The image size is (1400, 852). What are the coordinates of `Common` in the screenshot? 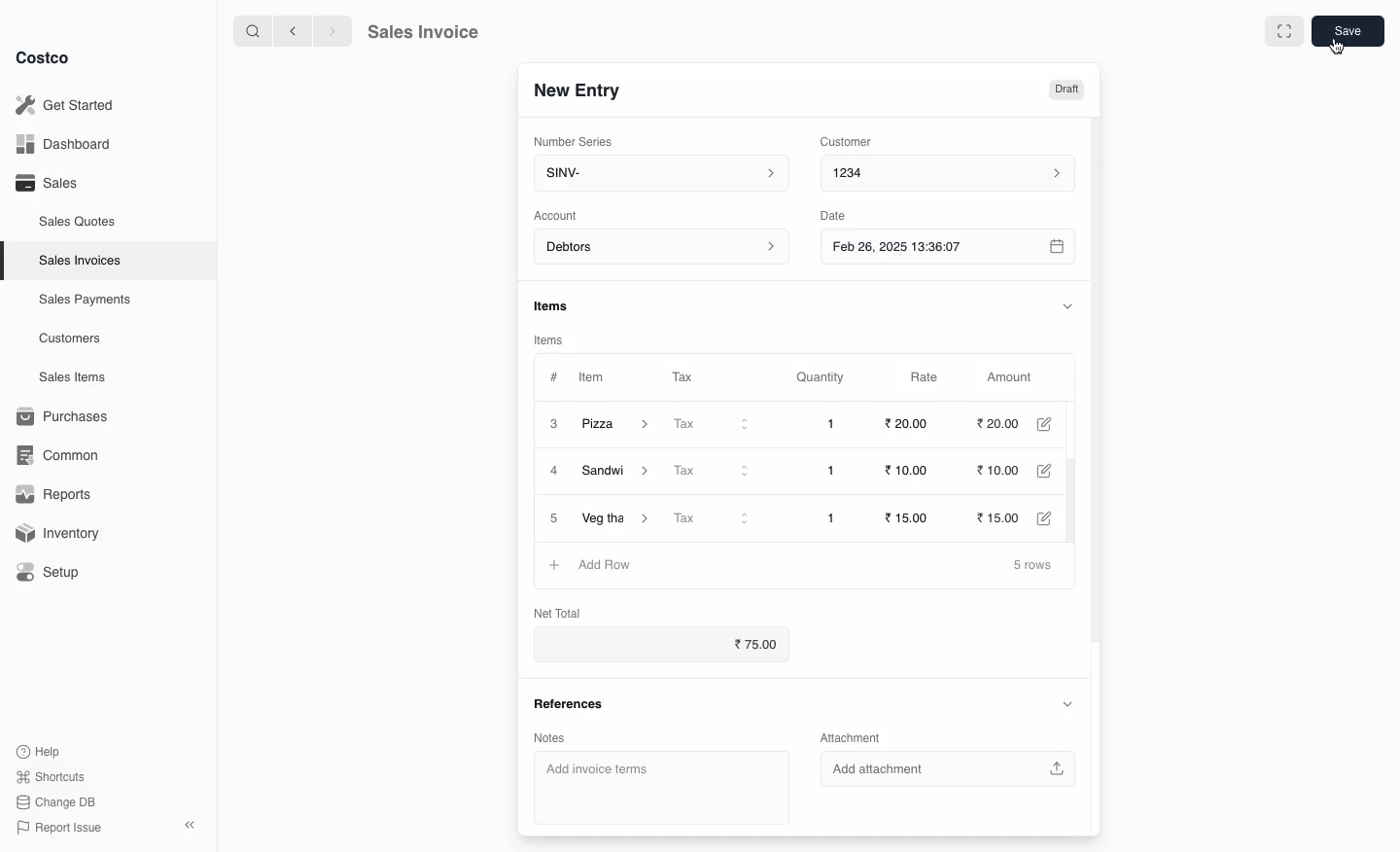 It's located at (66, 455).